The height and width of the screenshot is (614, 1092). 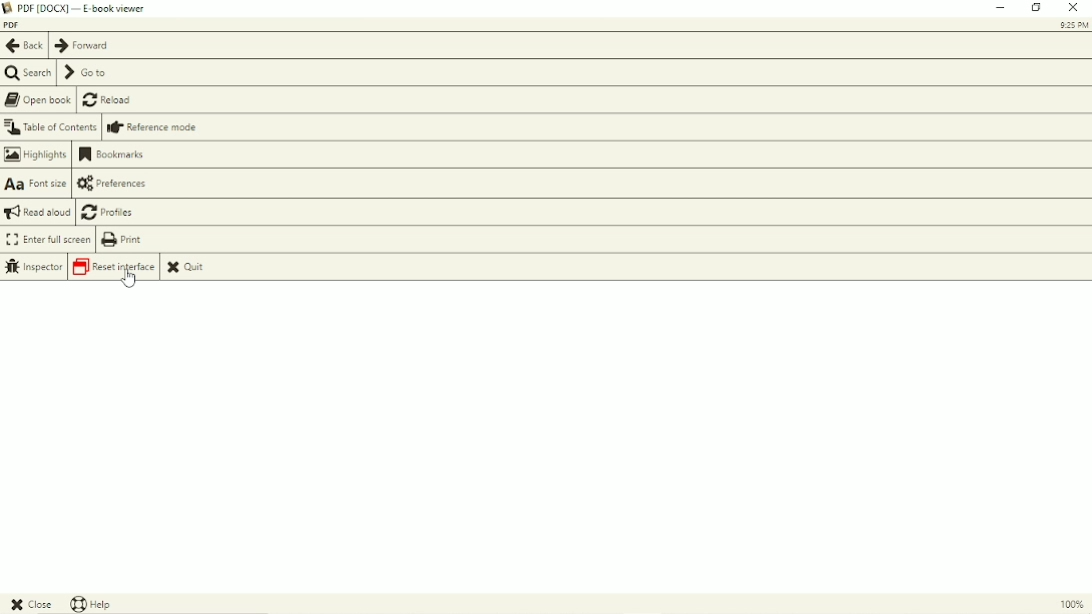 I want to click on Time, so click(x=1072, y=25).